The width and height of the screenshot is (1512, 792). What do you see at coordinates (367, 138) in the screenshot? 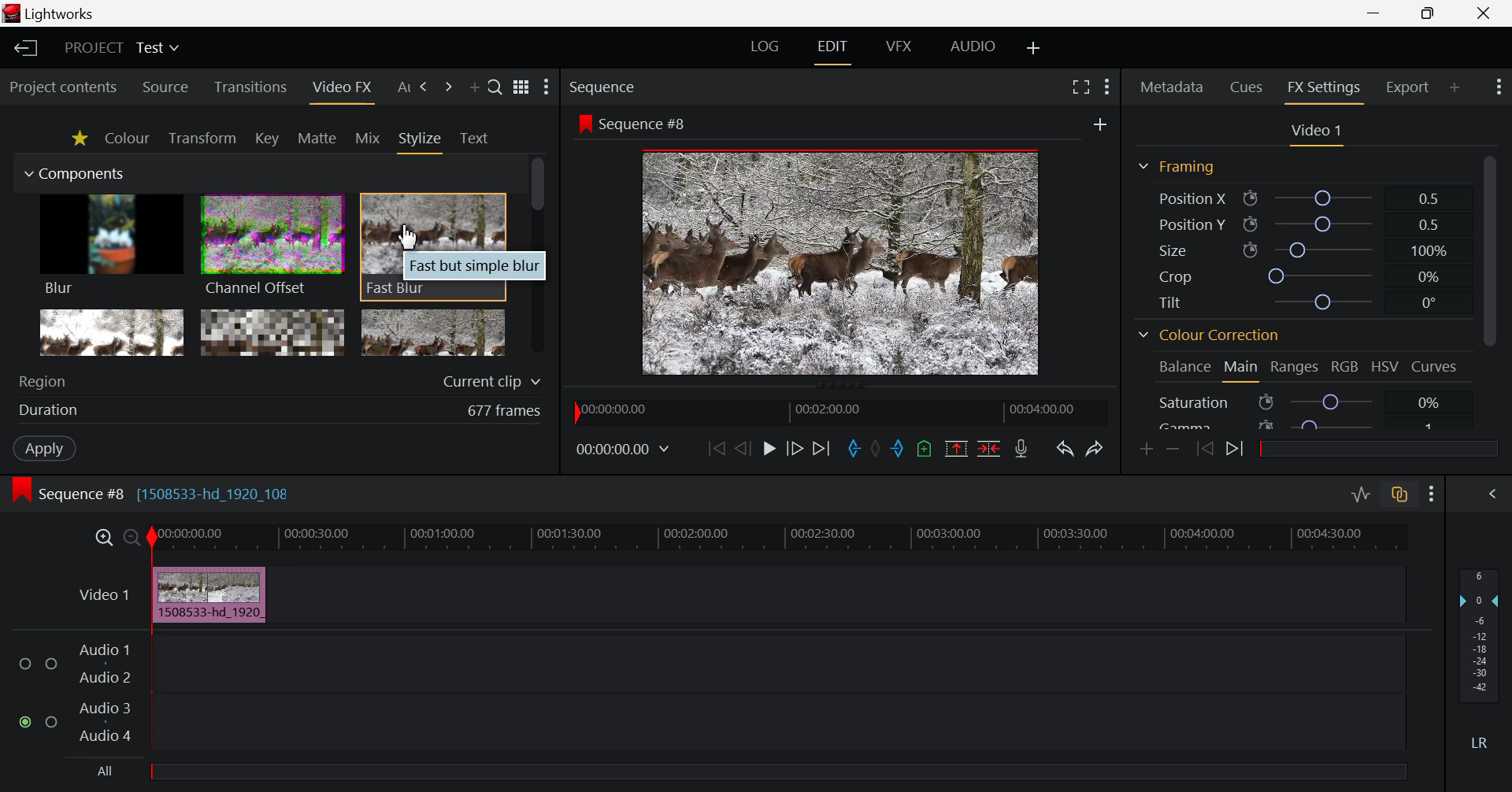
I see `Mix` at bounding box center [367, 138].